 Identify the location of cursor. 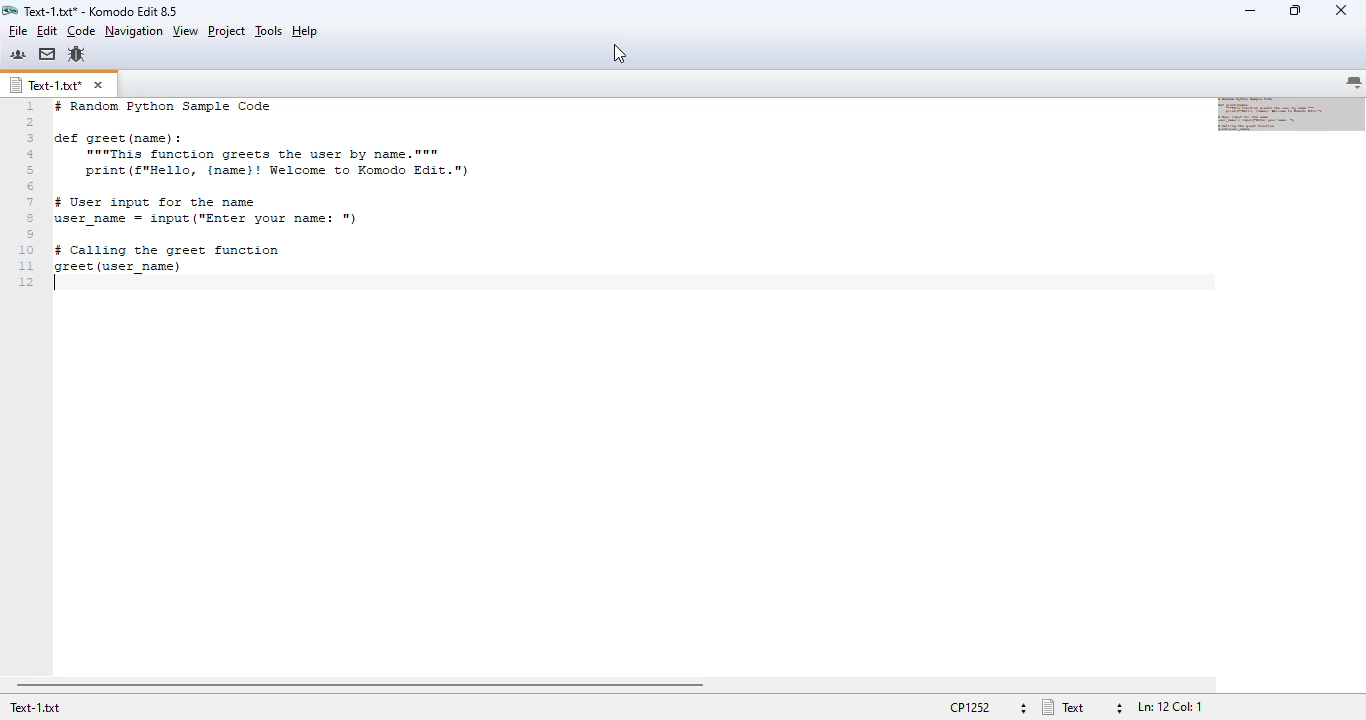
(619, 53).